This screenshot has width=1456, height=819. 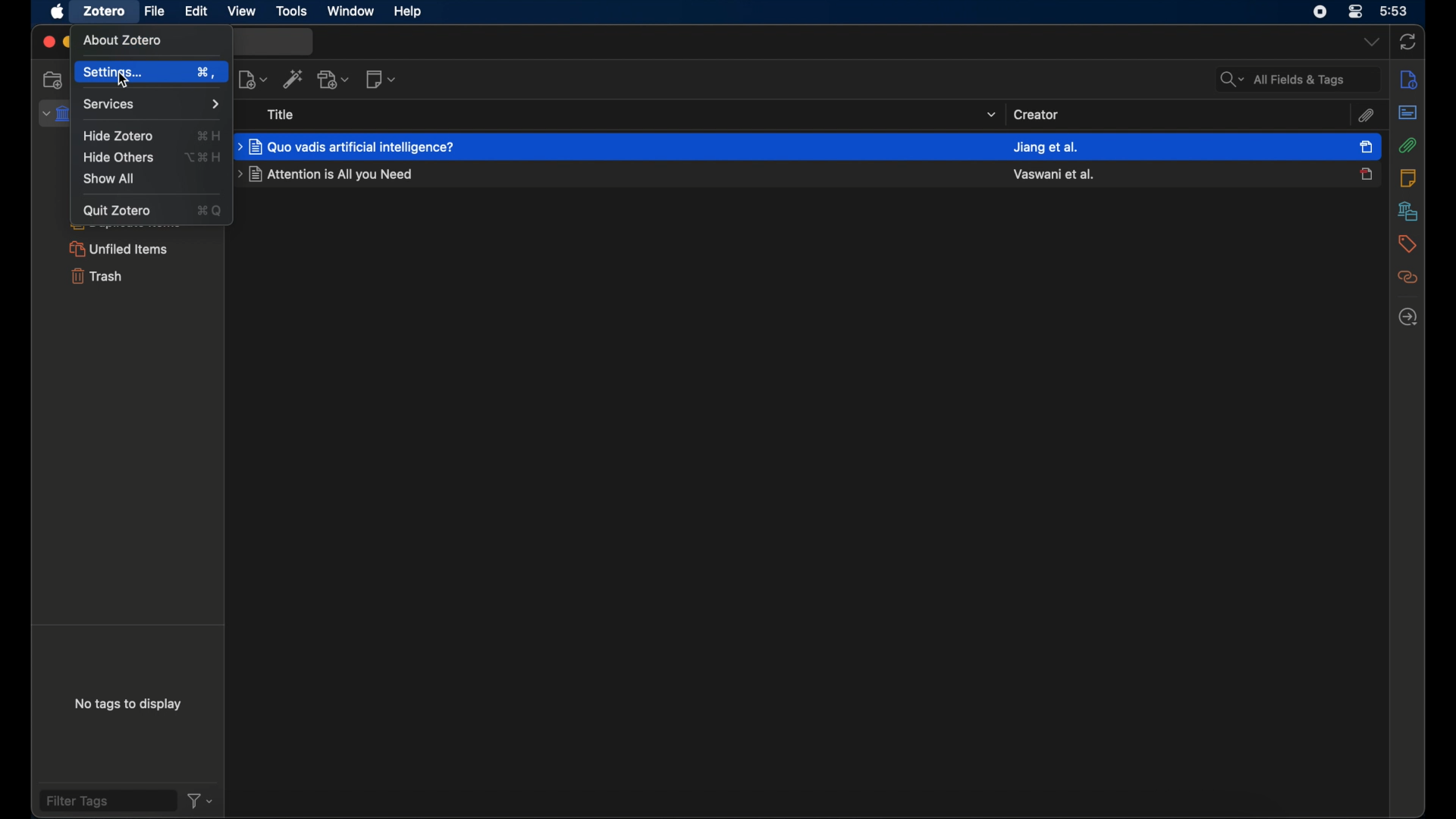 What do you see at coordinates (1408, 80) in the screenshot?
I see `info` at bounding box center [1408, 80].